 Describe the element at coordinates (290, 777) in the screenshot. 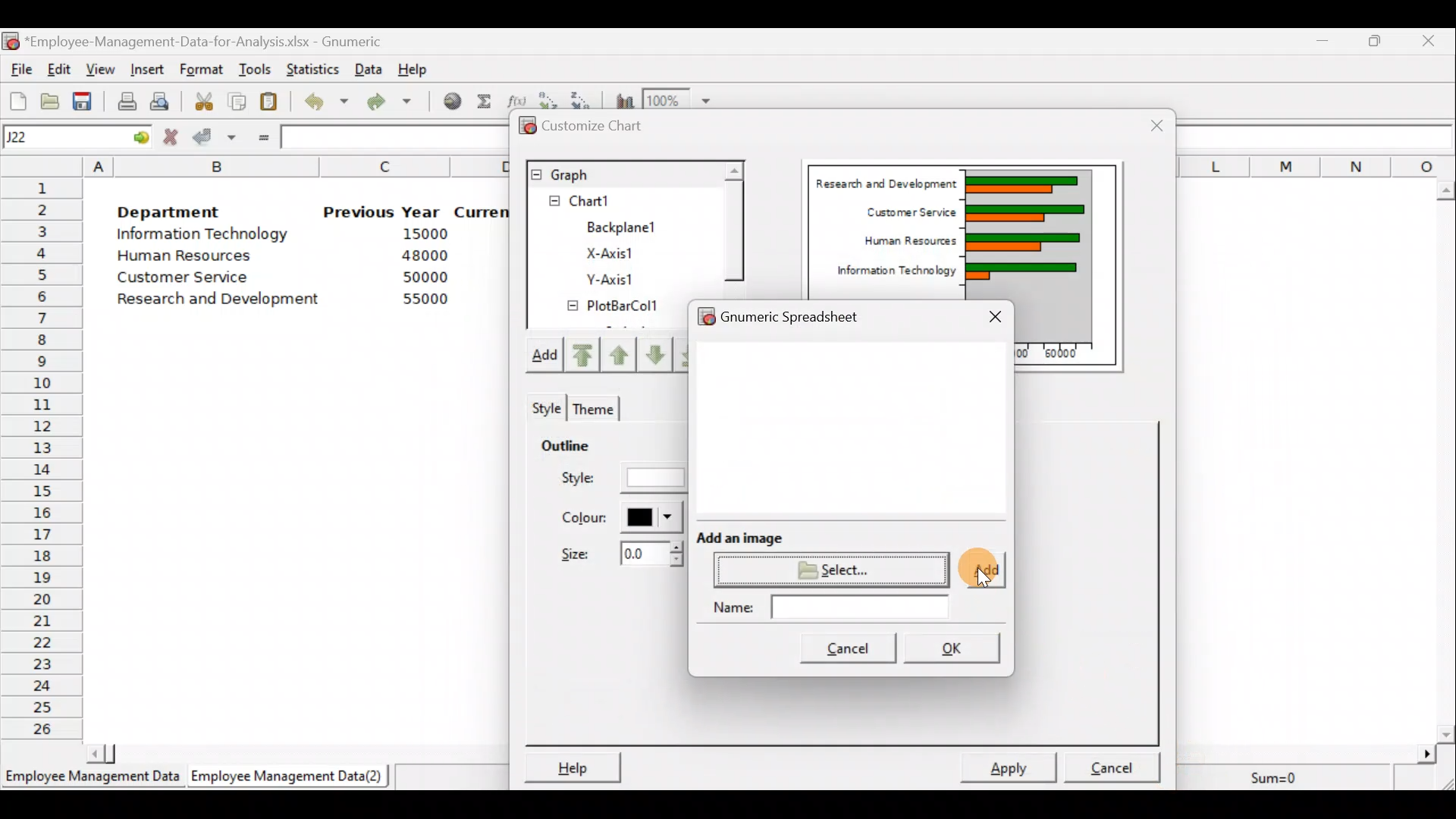

I see `Employee Management Data (2)` at that location.